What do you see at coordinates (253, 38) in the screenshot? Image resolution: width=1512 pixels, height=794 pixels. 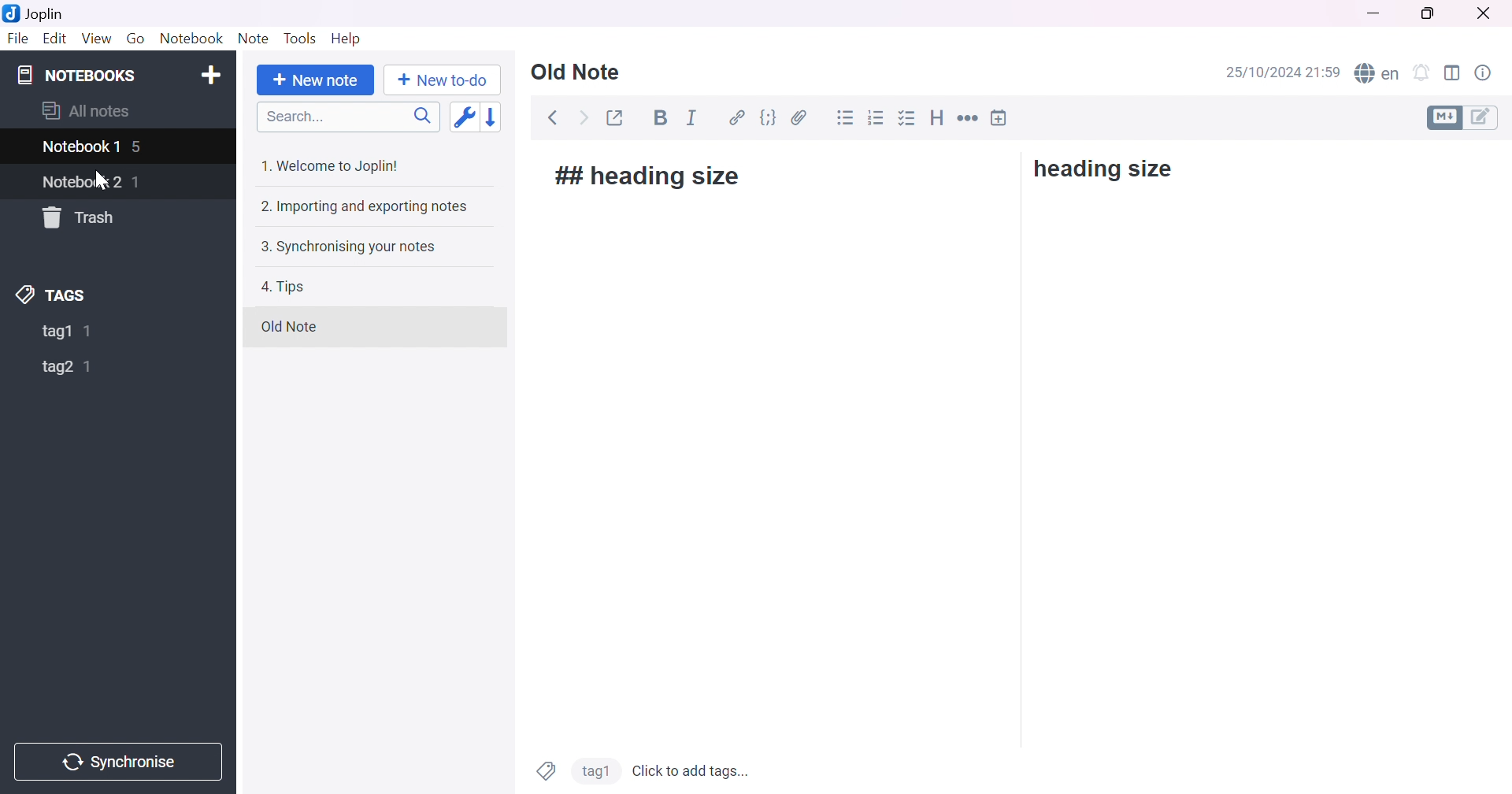 I see `Note` at bounding box center [253, 38].